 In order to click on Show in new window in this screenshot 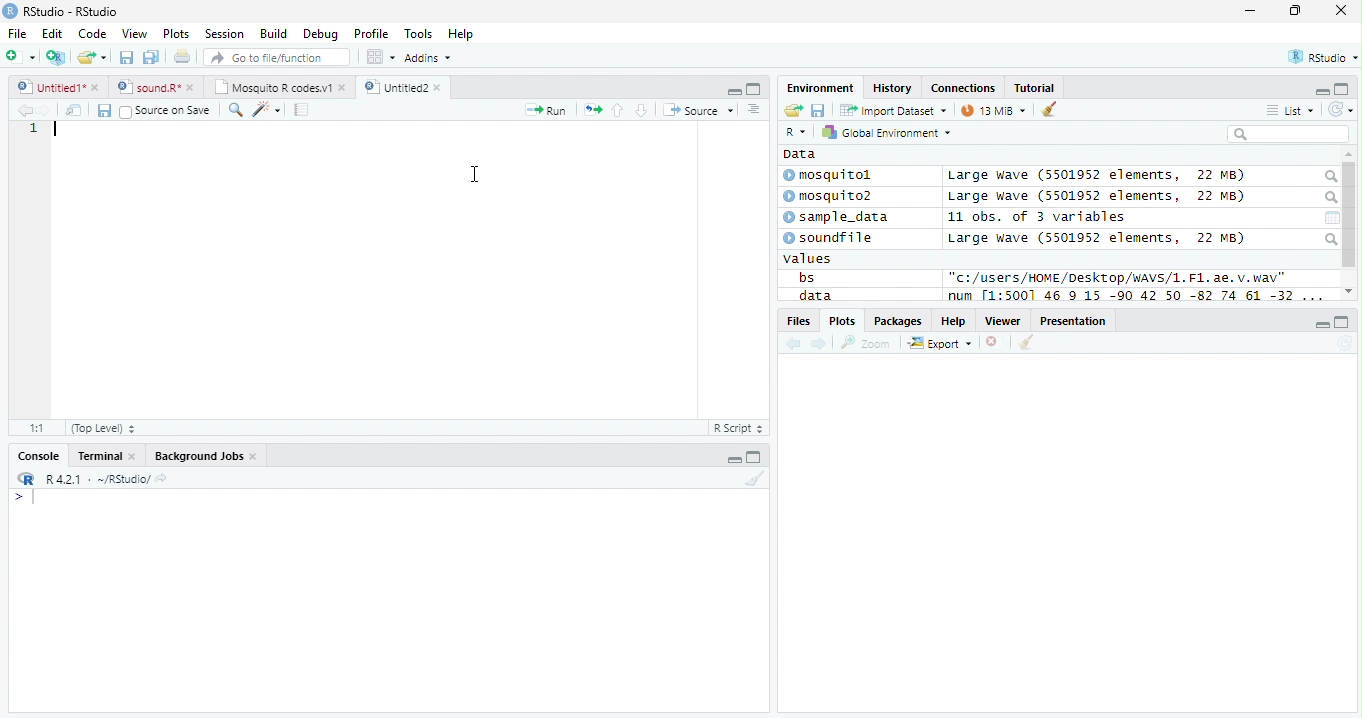, I will do `click(74, 111)`.